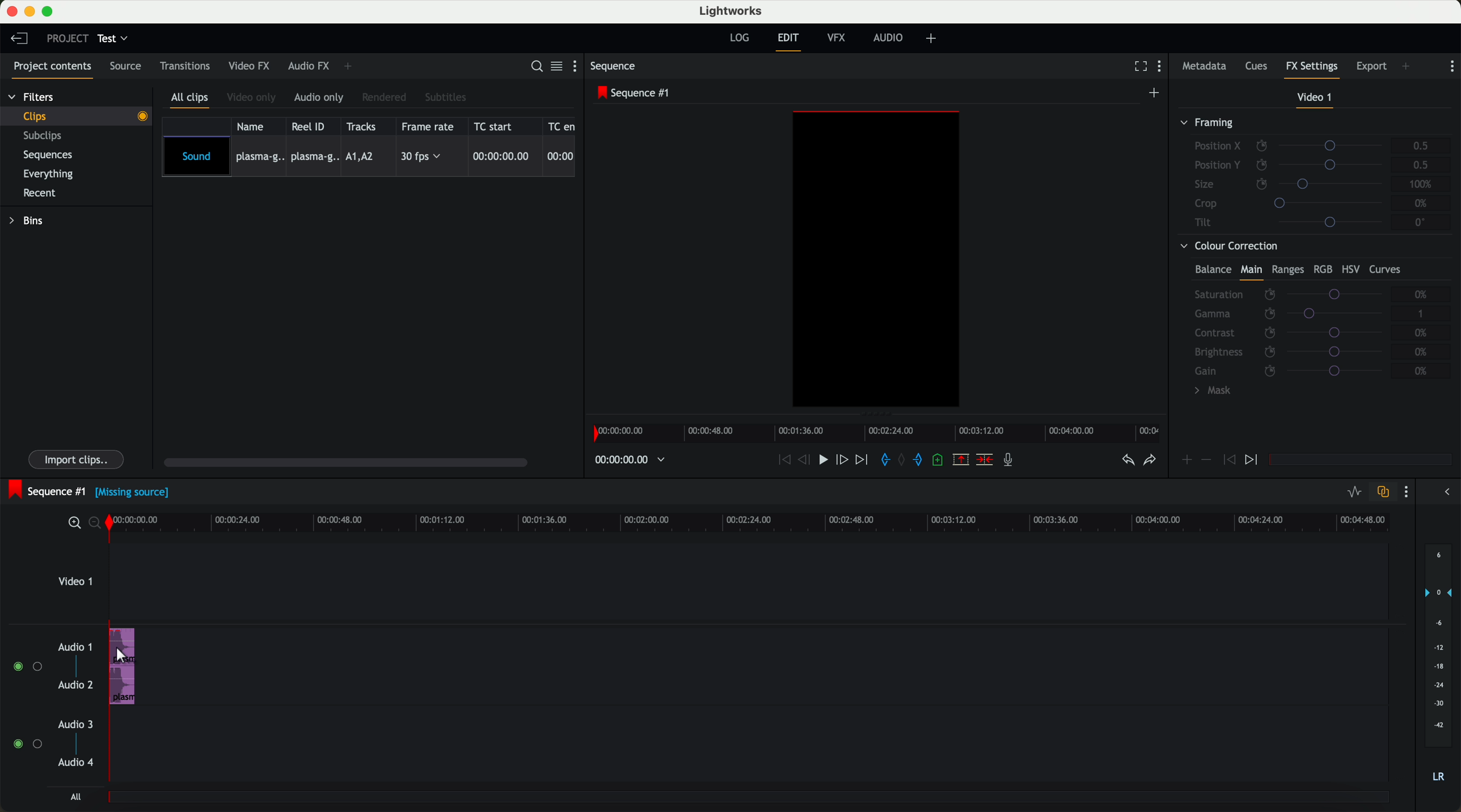 The image size is (1461, 812). Describe the element at coordinates (807, 460) in the screenshot. I see `nudge one frame back` at that location.